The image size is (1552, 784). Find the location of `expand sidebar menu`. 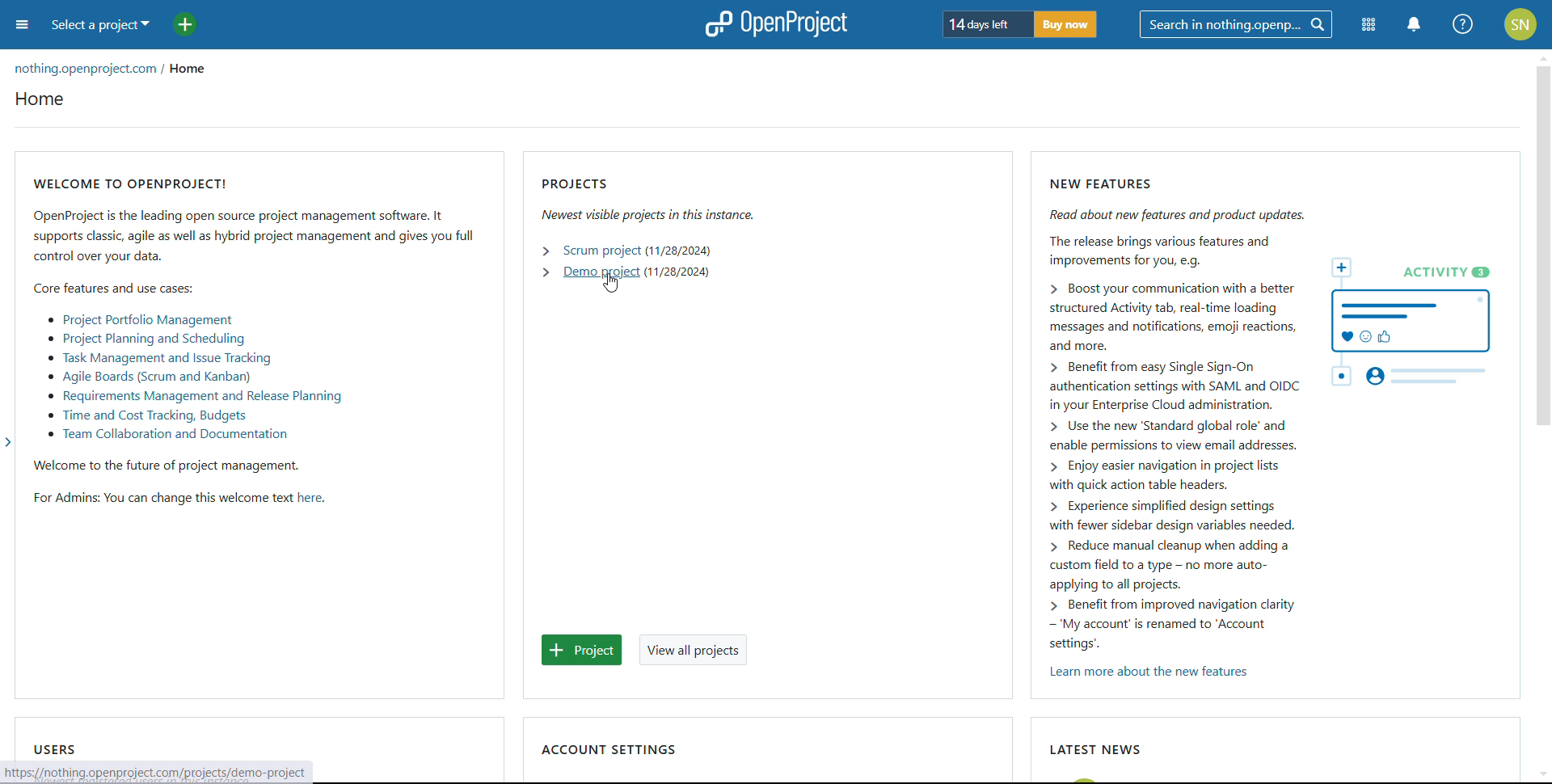

expand sidebar menu is located at coordinates (8, 442).